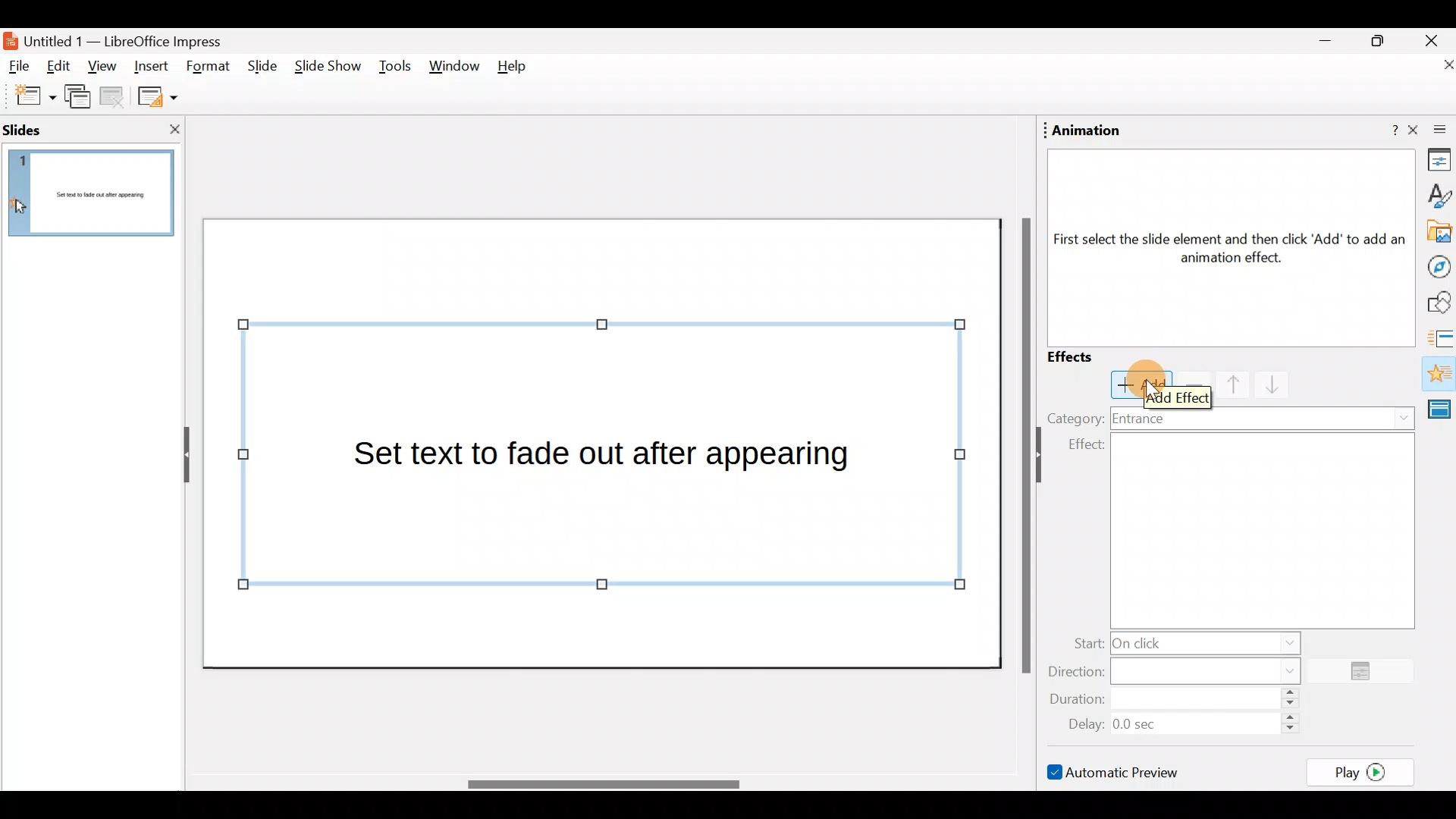  What do you see at coordinates (518, 70) in the screenshot?
I see `Help` at bounding box center [518, 70].